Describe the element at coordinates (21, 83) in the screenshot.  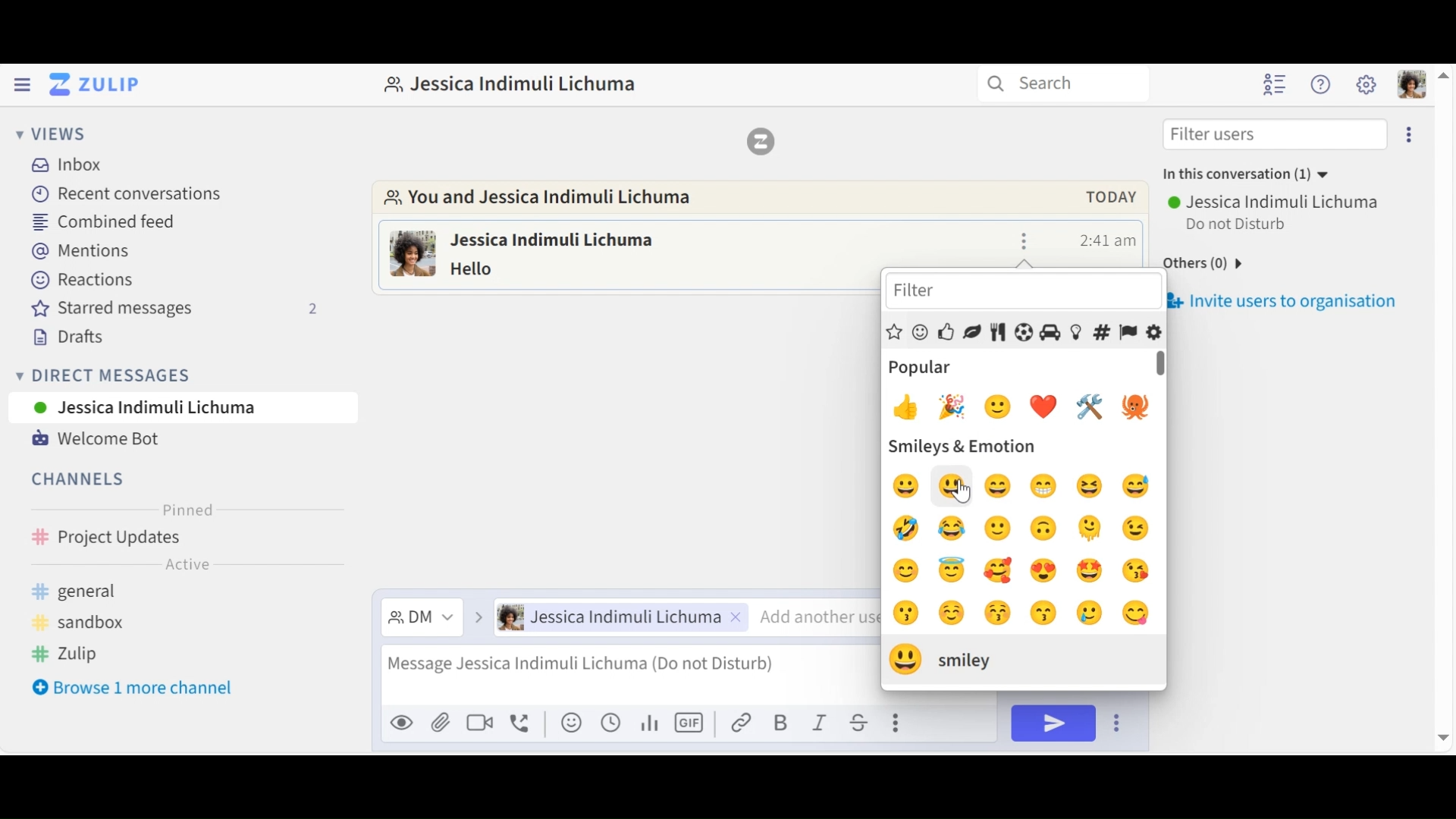
I see `Hide Left Sidebar` at that location.